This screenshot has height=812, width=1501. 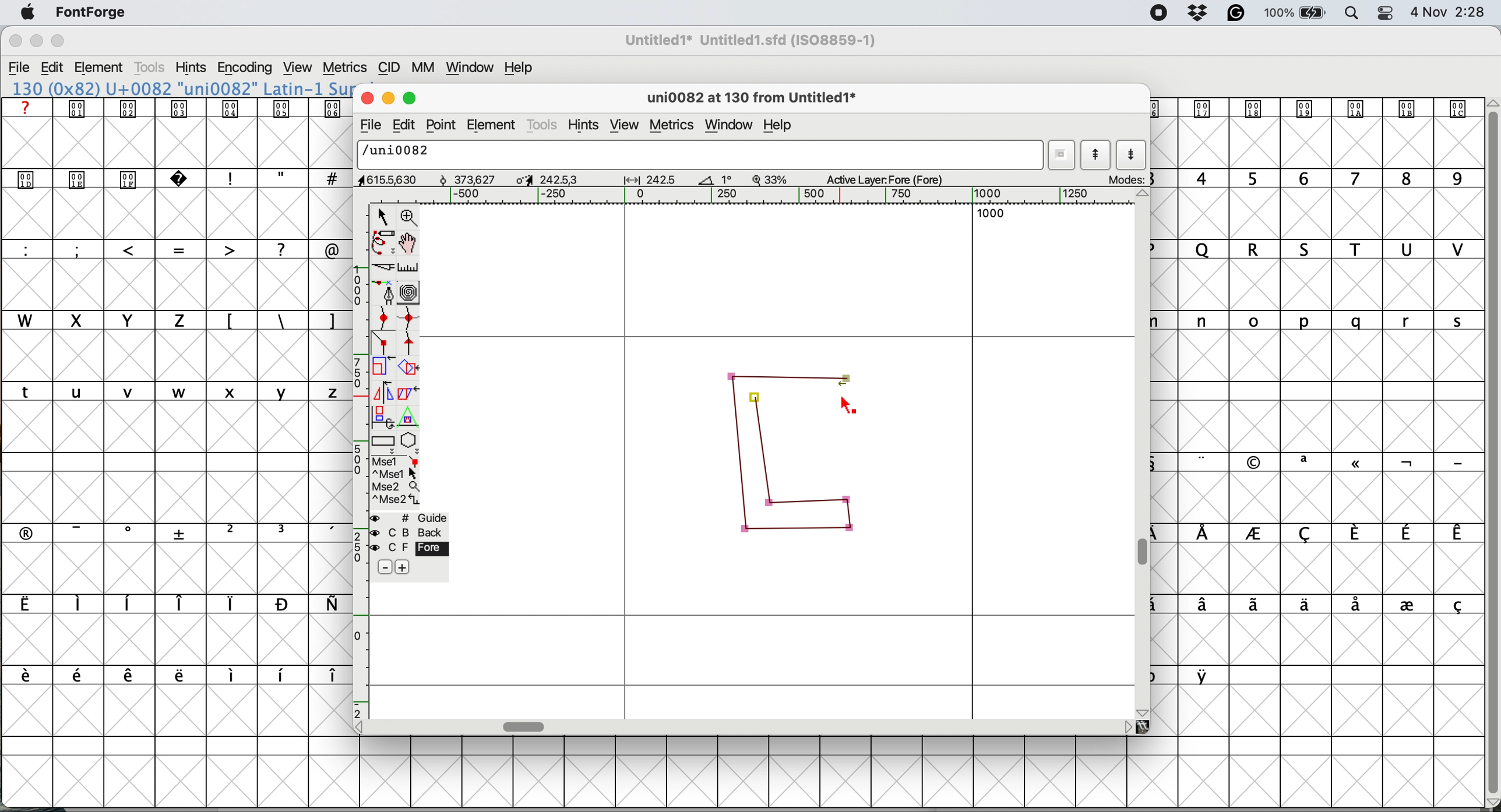 What do you see at coordinates (406, 391) in the screenshot?
I see `skew the selection` at bounding box center [406, 391].